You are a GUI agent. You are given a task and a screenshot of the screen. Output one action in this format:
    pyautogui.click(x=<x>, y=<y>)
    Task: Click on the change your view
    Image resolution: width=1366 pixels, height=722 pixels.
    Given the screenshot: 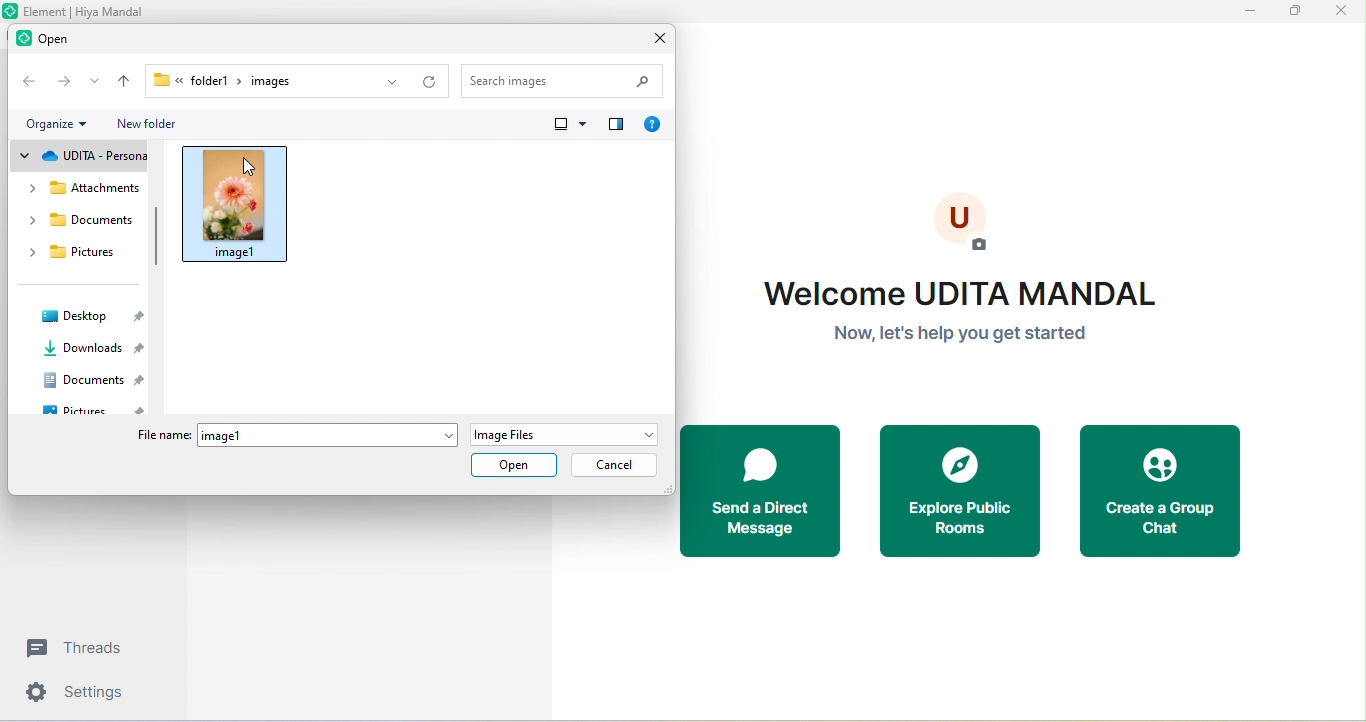 What is the action you would take?
    pyautogui.click(x=568, y=126)
    